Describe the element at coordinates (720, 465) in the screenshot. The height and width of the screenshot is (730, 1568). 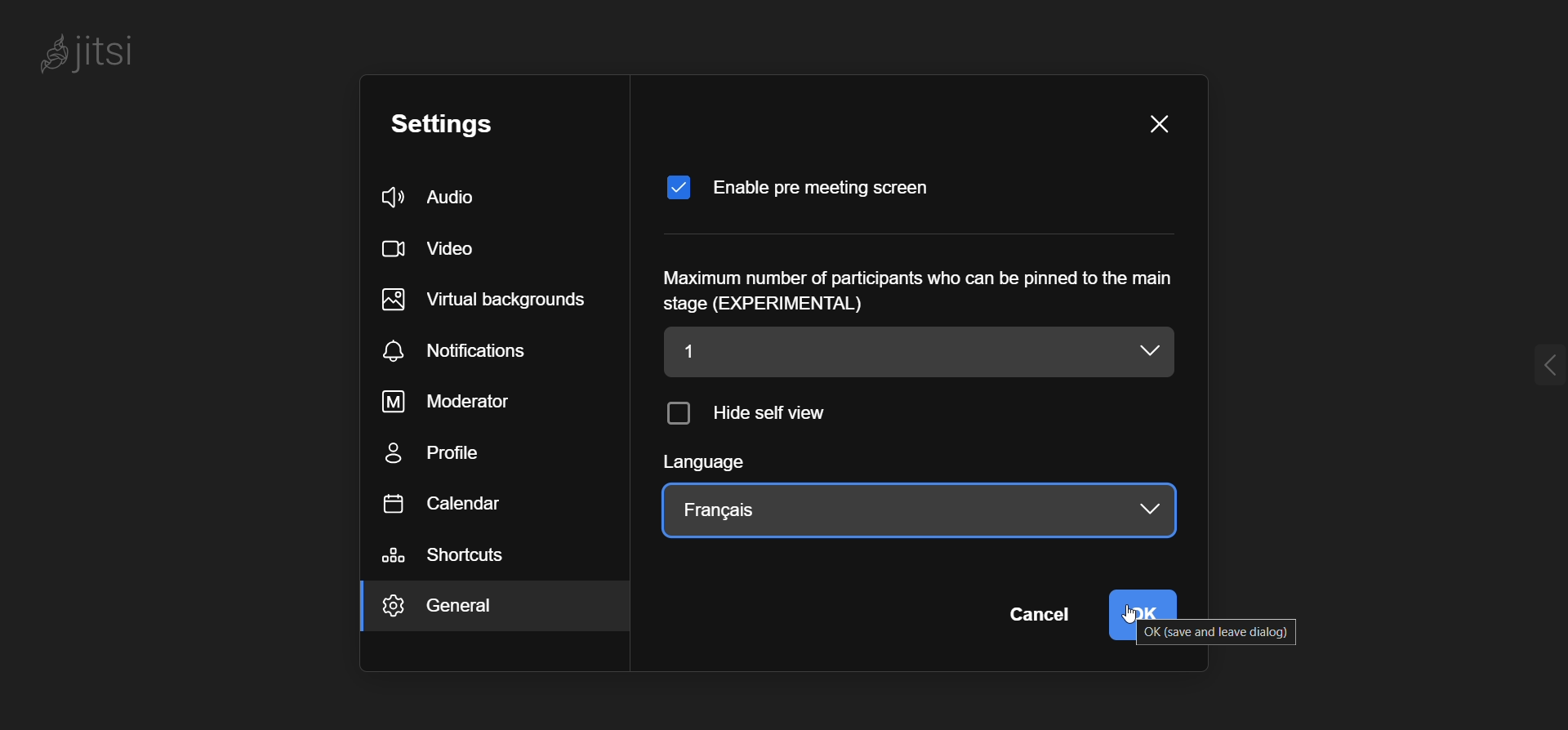
I see `langugae` at that location.